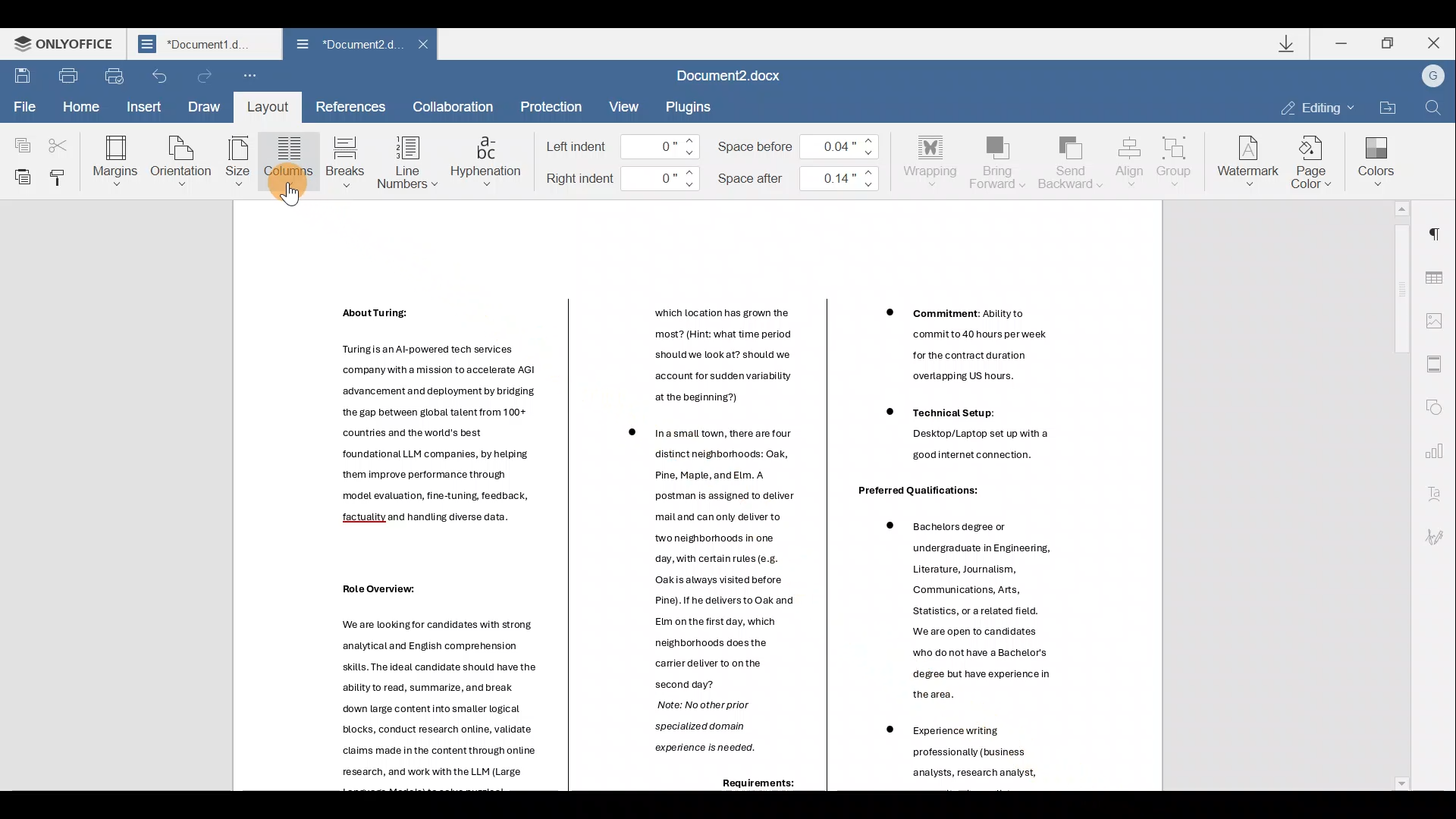 This screenshot has height=819, width=1456. Describe the element at coordinates (63, 138) in the screenshot. I see `Cut` at that location.